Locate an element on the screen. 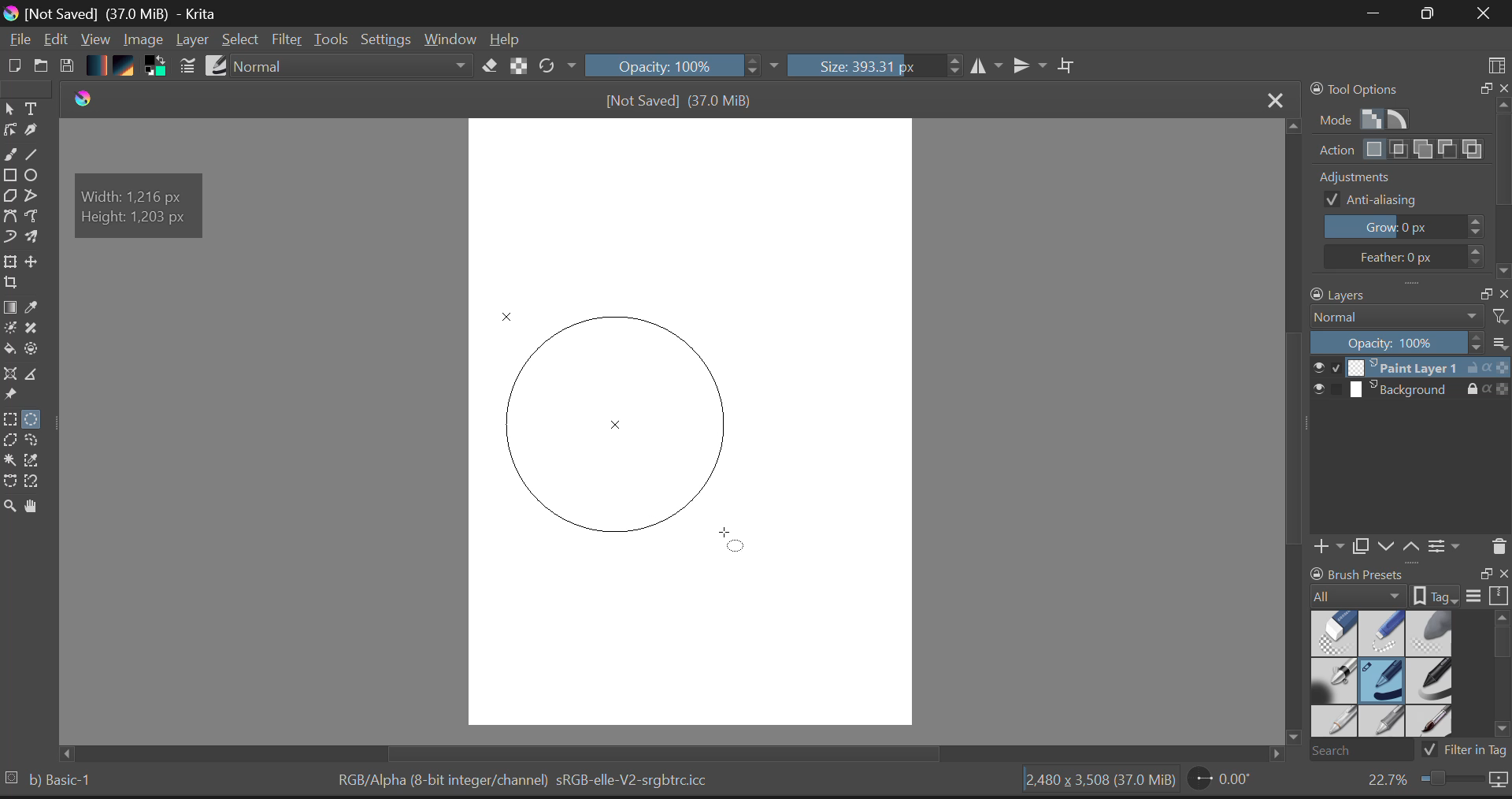 Image resolution: width=1512 pixels, height=799 pixels. MOUSE_UP Cursor Position is located at coordinates (734, 541).